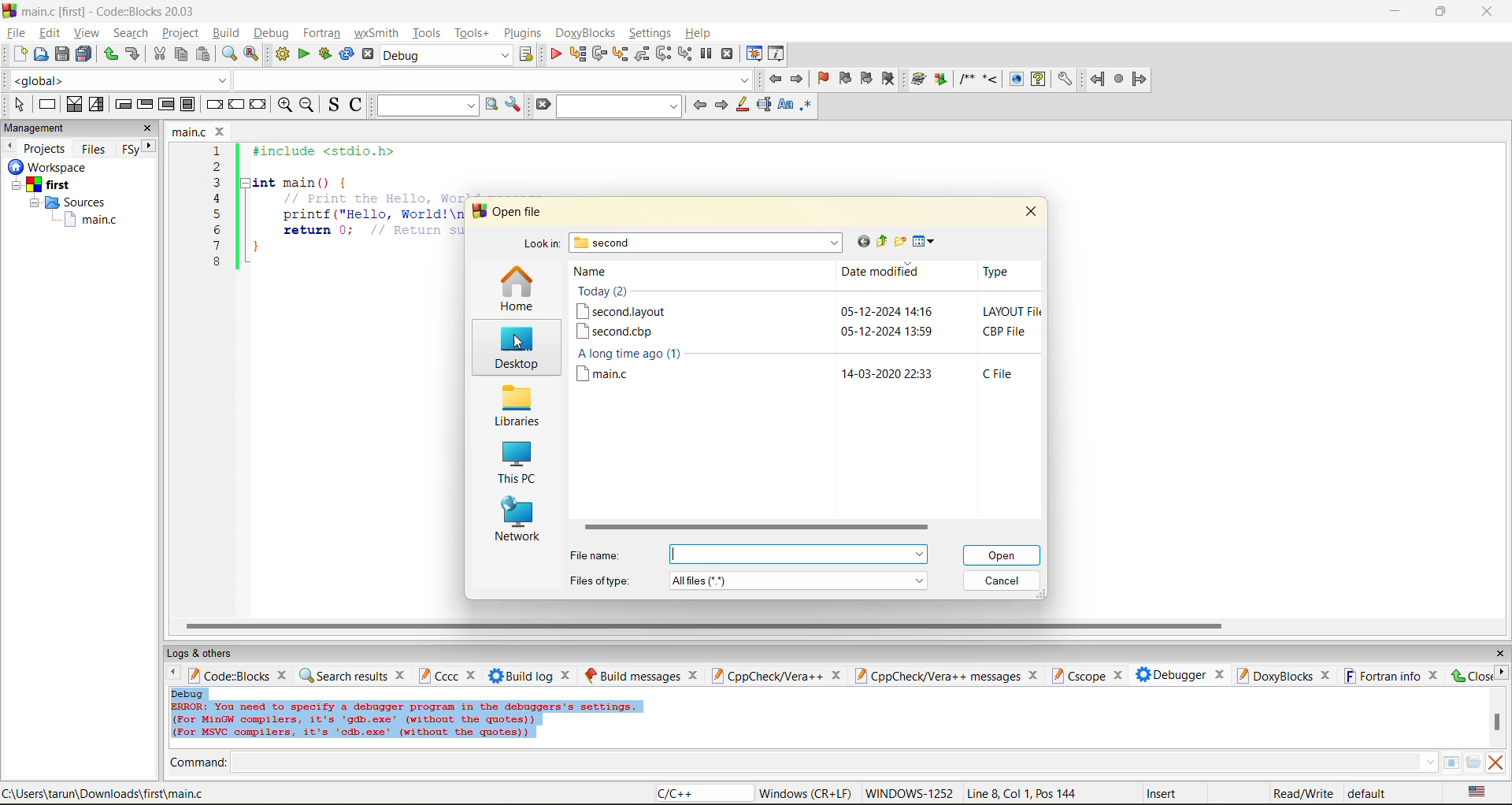 The height and width of the screenshot is (805, 1512). Describe the element at coordinates (613, 375) in the screenshot. I see `main.c file` at that location.